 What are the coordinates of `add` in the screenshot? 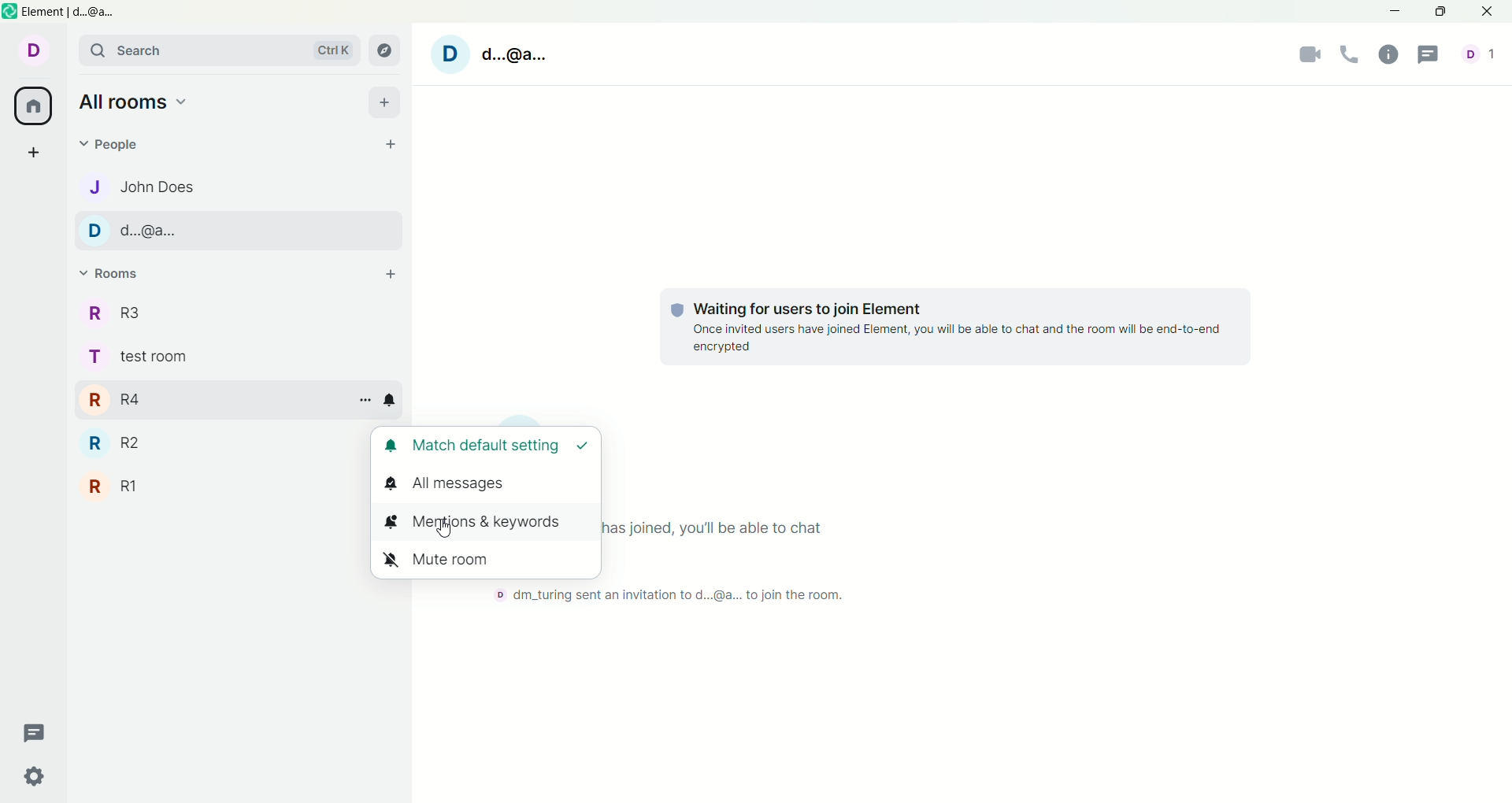 It's located at (384, 102).